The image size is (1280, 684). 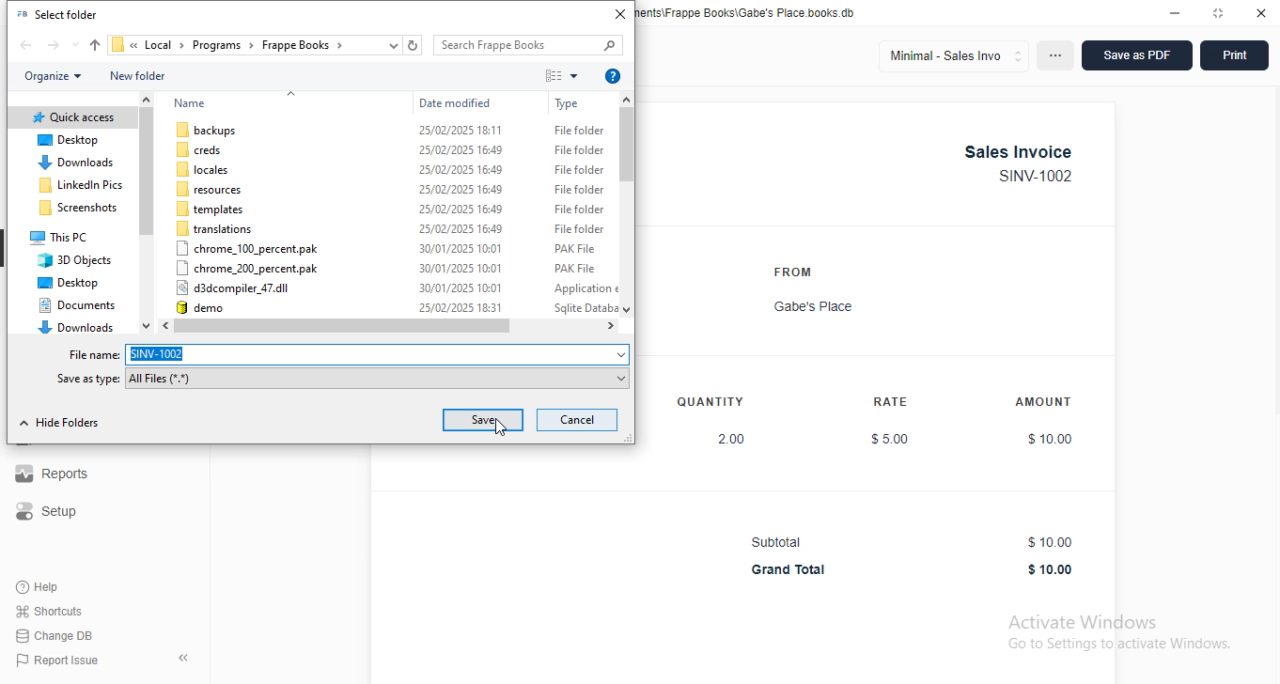 I want to click on resources, so click(x=208, y=189).